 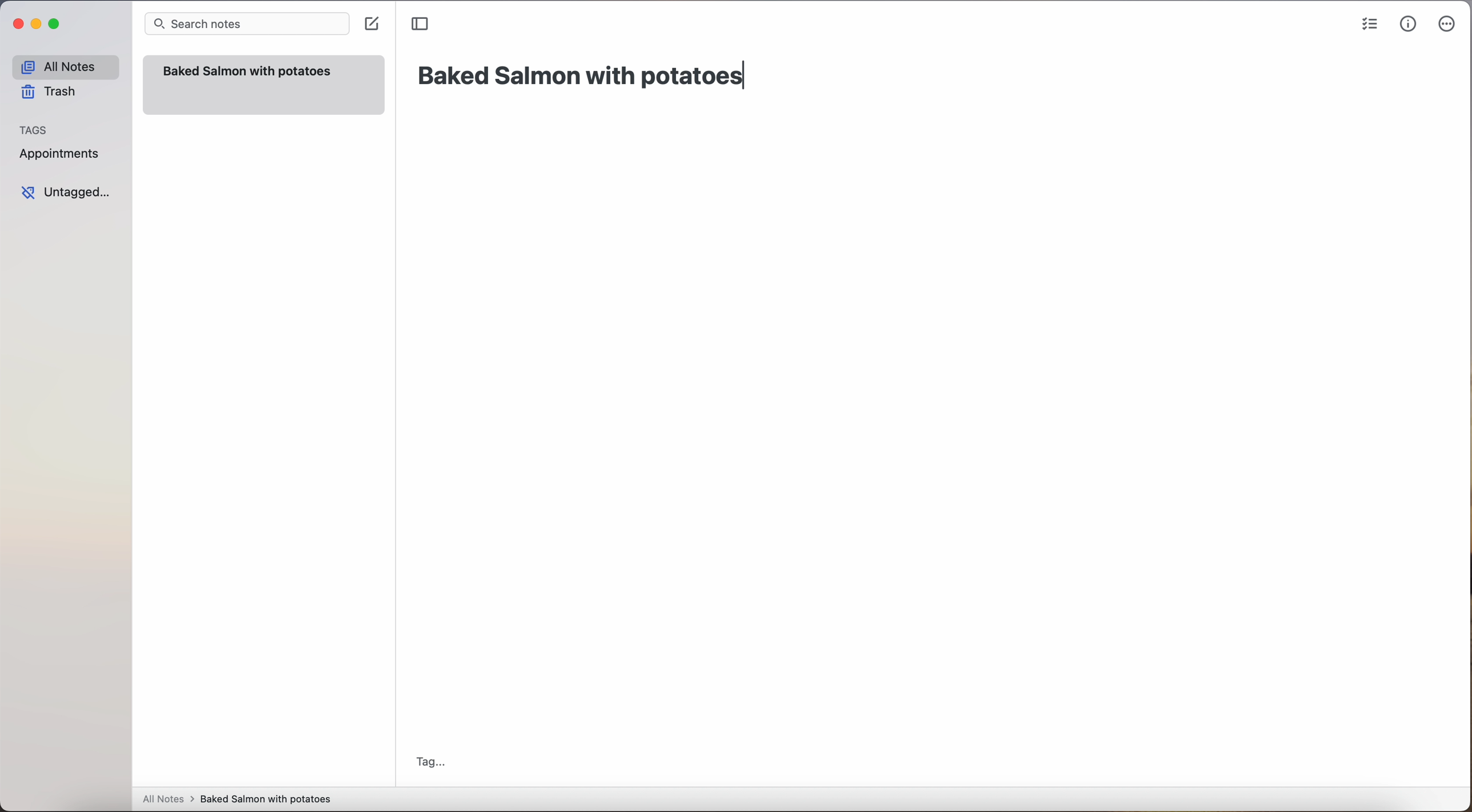 What do you see at coordinates (1449, 25) in the screenshot?
I see `more options` at bounding box center [1449, 25].